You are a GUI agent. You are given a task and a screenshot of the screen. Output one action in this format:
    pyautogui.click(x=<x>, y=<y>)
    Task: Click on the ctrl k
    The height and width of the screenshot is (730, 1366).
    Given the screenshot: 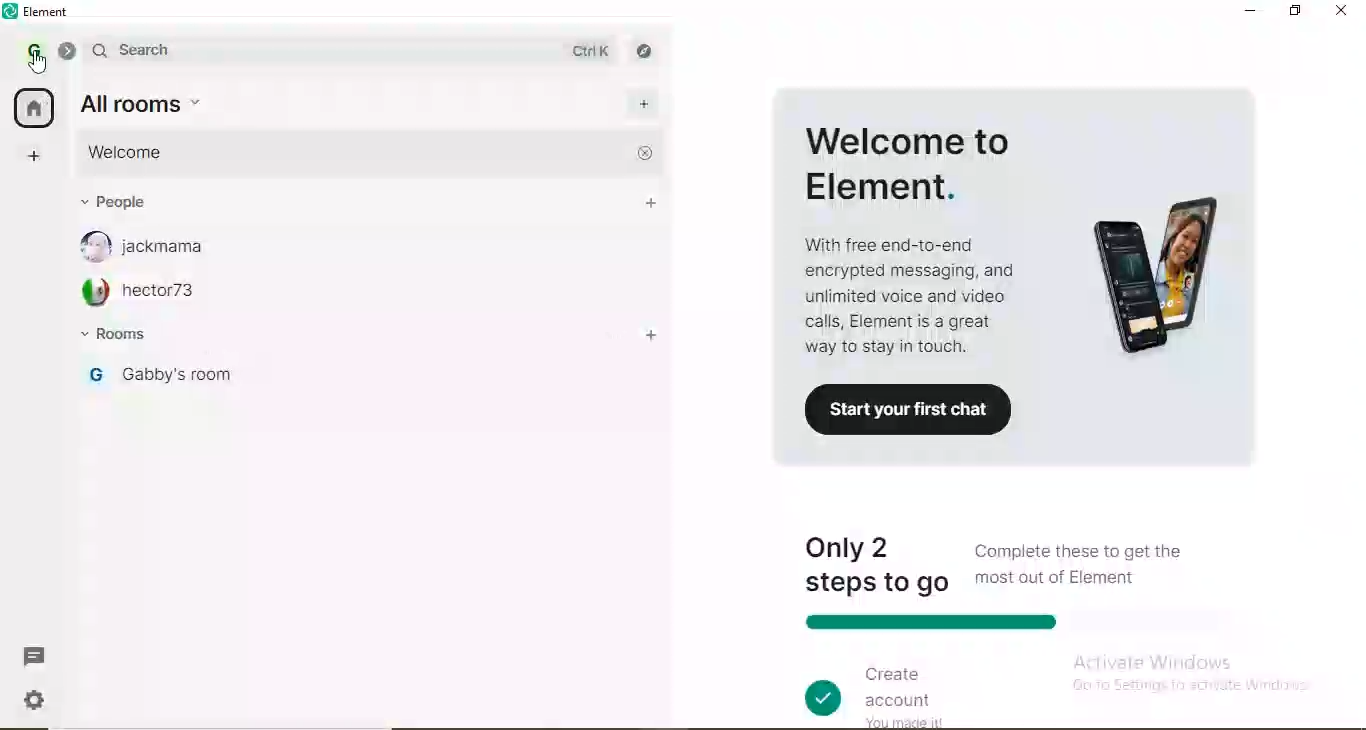 What is the action you would take?
    pyautogui.click(x=594, y=52)
    